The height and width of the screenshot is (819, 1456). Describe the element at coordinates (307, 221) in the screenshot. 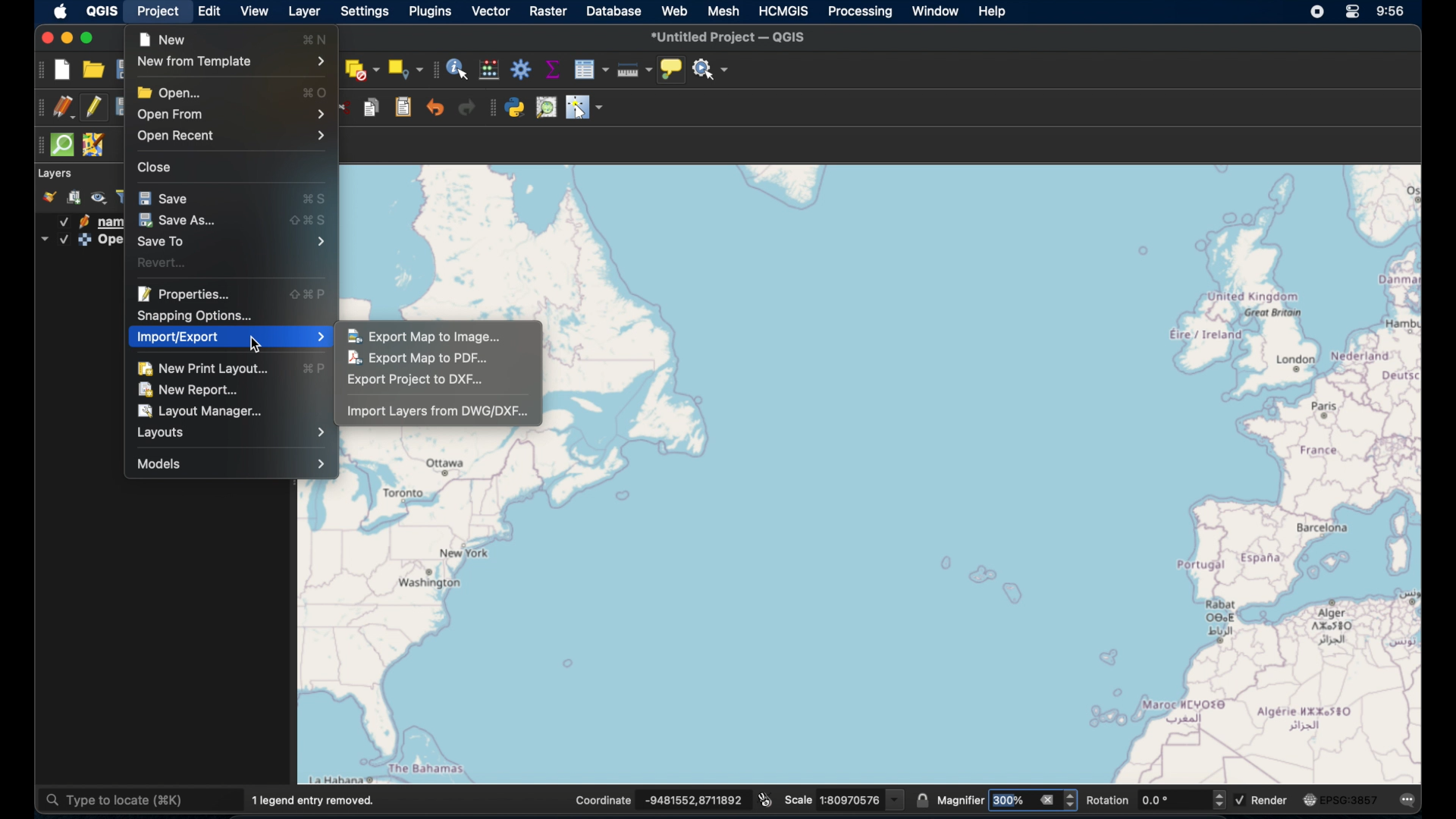

I see `save as shortcut` at that location.